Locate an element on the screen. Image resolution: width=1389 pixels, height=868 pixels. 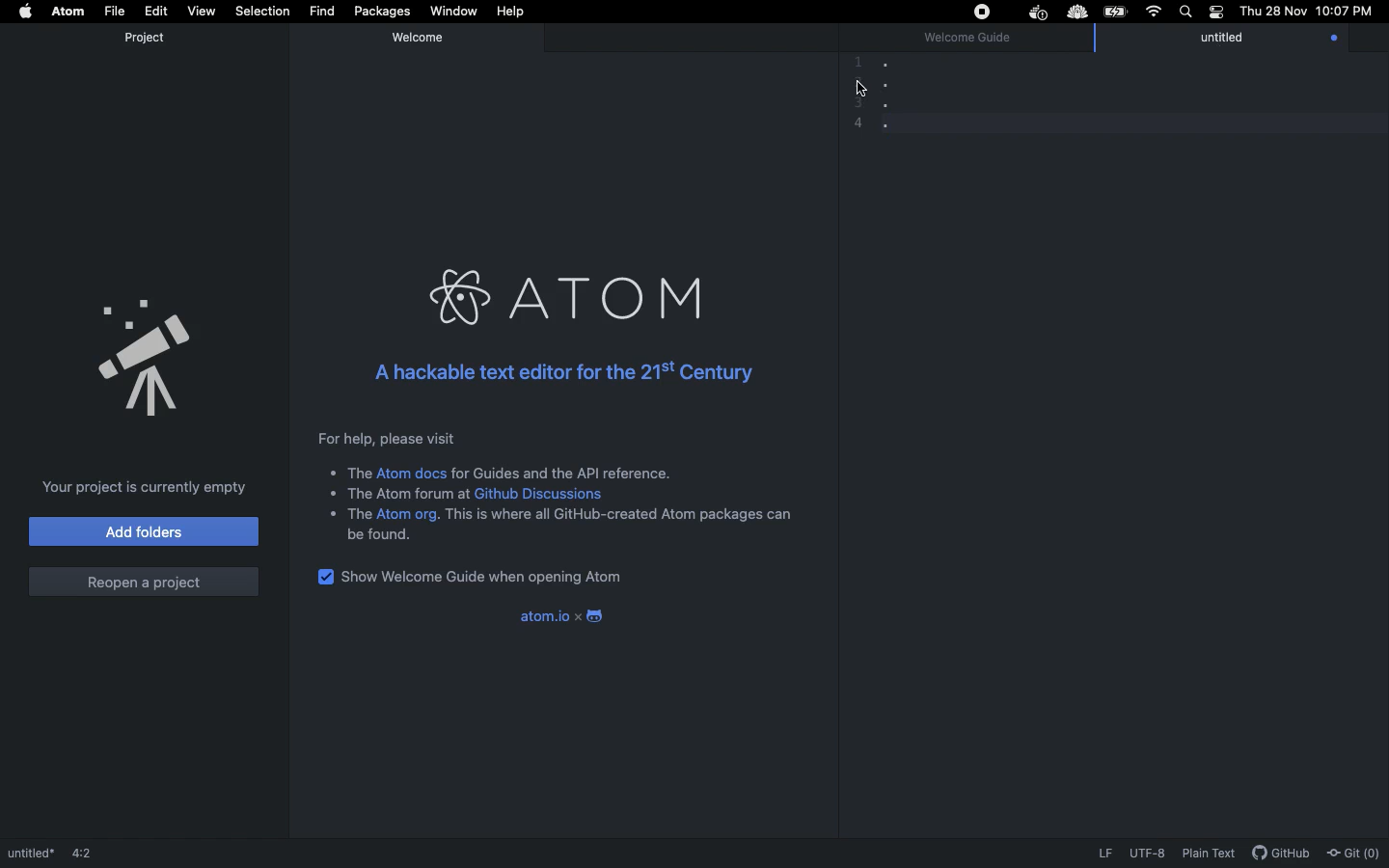
Project is located at coordinates (145, 38).